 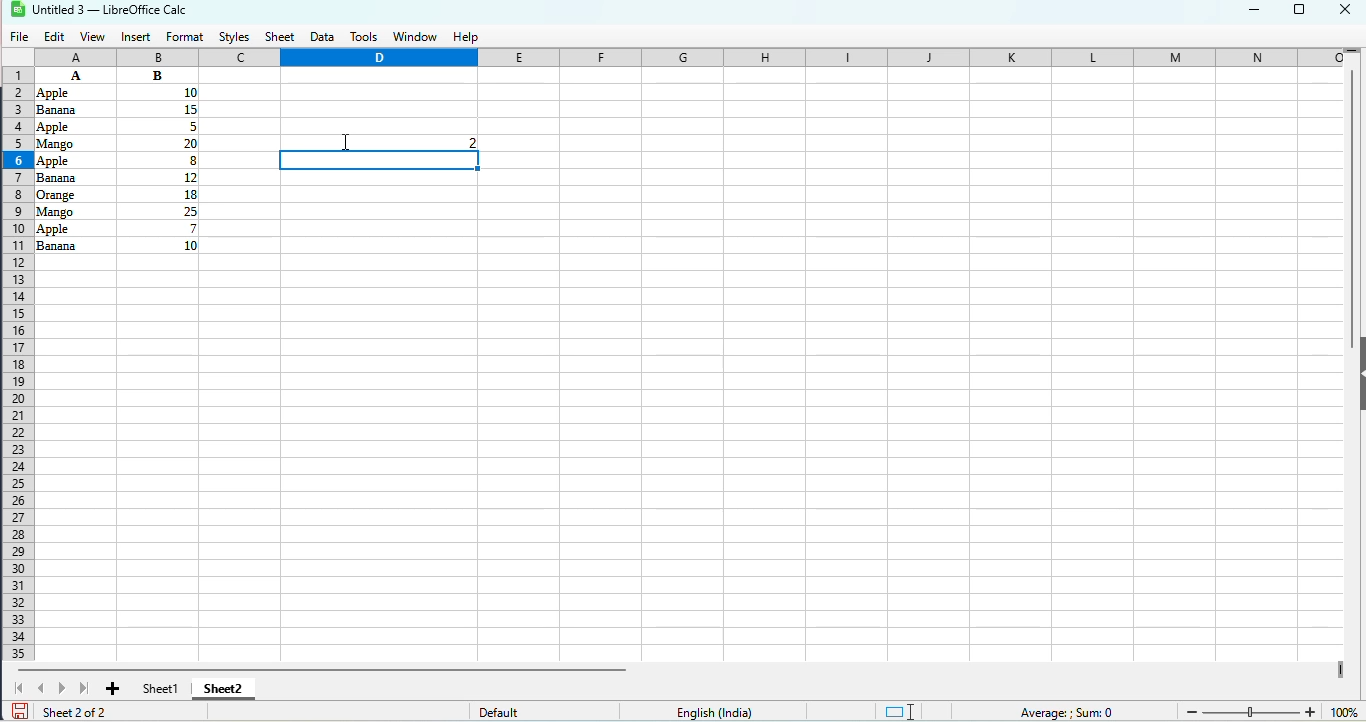 I want to click on click to save document, so click(x=20, y=712).